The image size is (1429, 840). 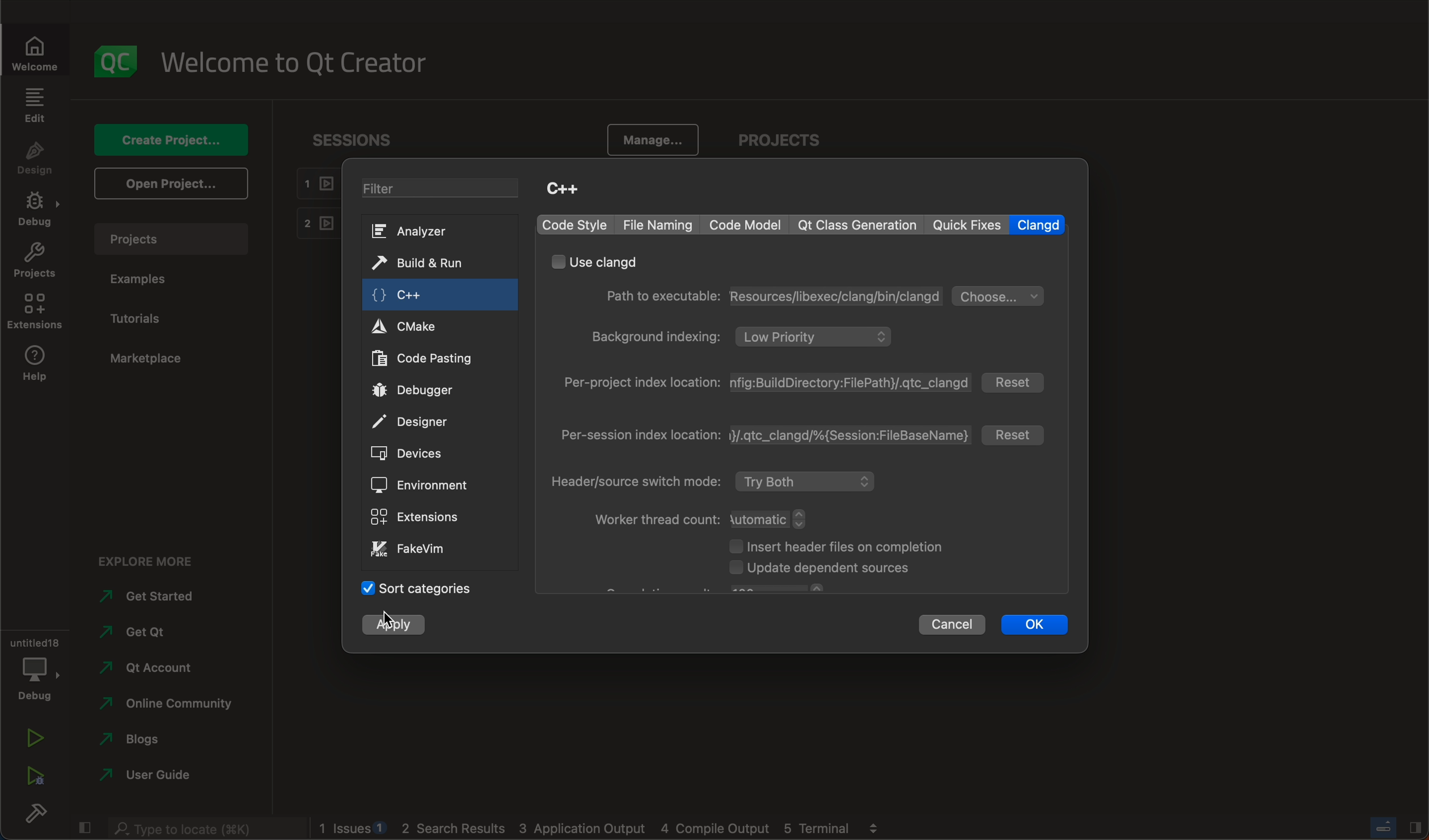 I want to click on update sources, so click(x=839, y=570).